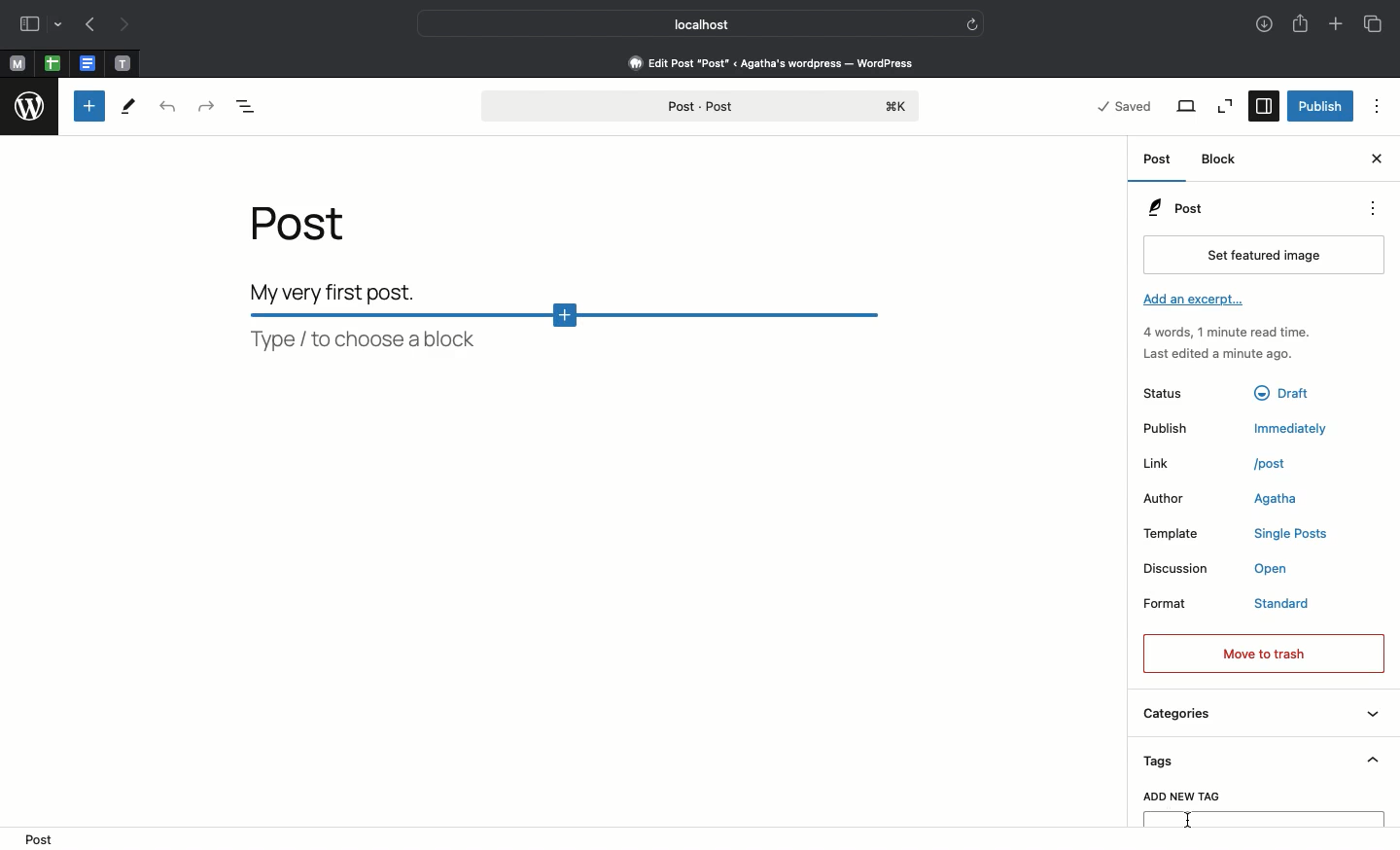 The height and width of the screenshot is (850, 1400). Describe the element at coordinates (1293, 429) in the screenshot. I see `immediately ` at that location.